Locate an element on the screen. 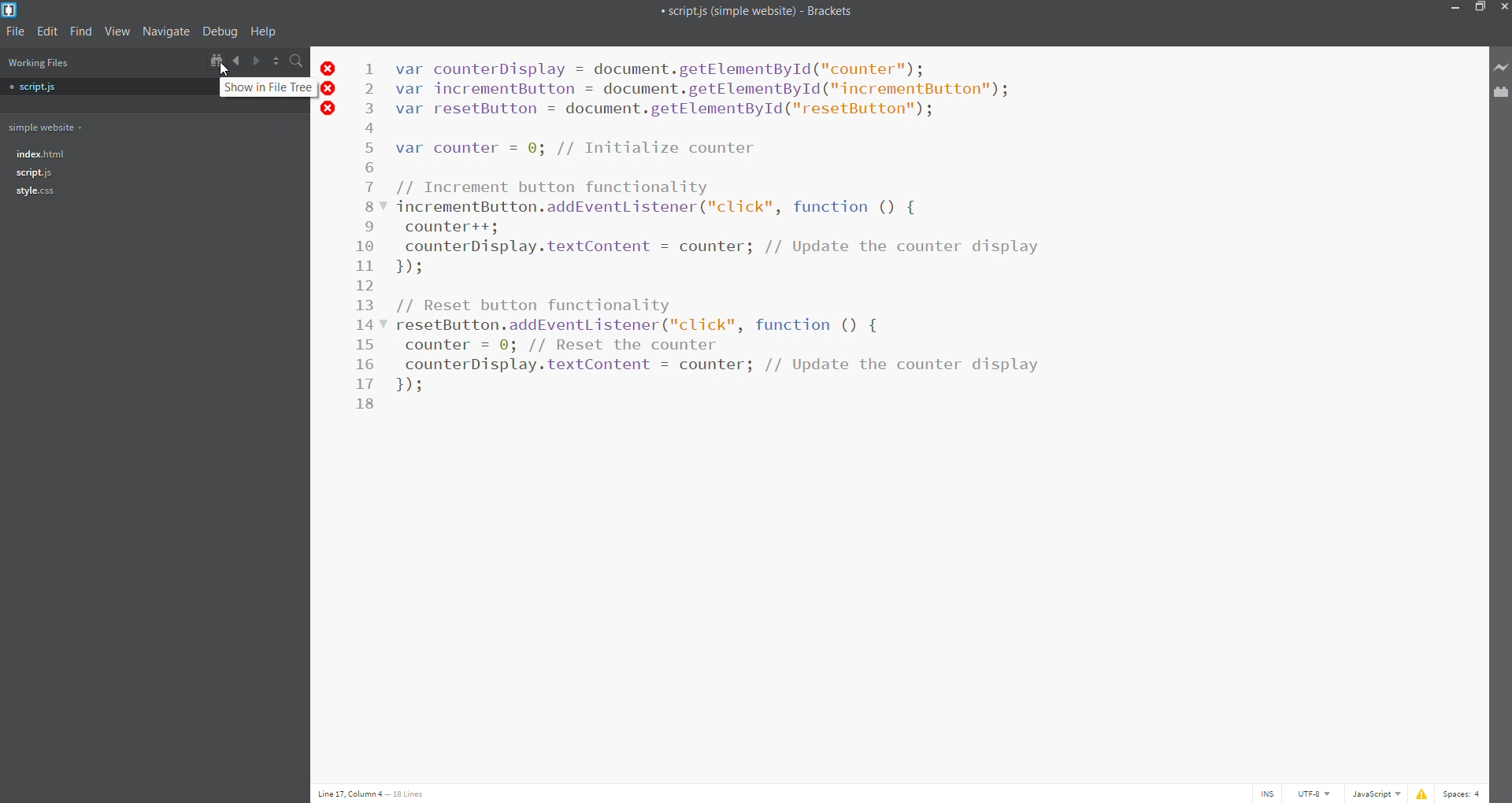 The height and width of the screenshot is (803, 1512). working folder is located at coordinates (45, 126).